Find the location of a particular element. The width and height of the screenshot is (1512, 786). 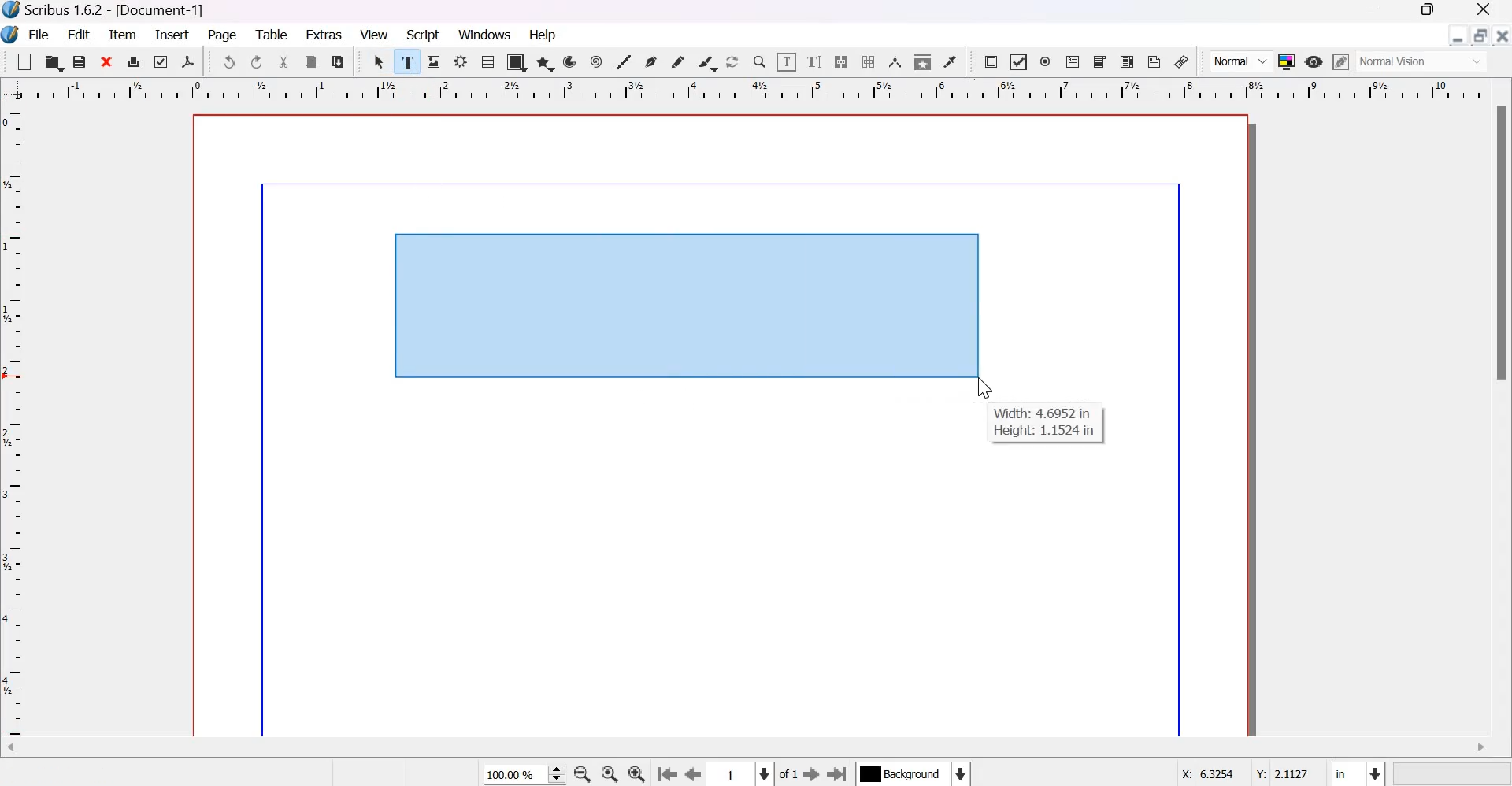

Normal is located at coordinates (1241, 61).